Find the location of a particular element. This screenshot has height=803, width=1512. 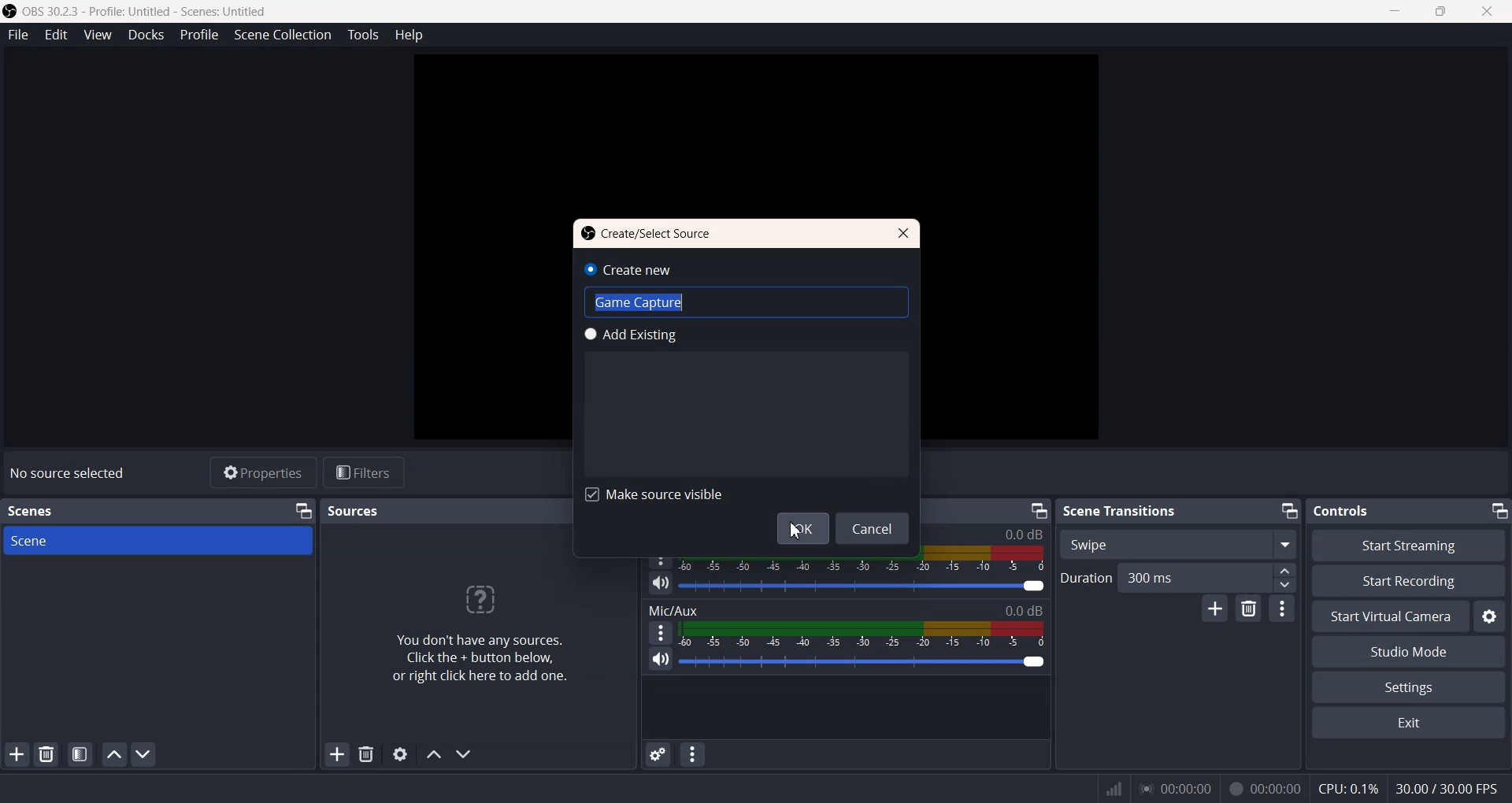

Text is located at coordinates (650, 232).